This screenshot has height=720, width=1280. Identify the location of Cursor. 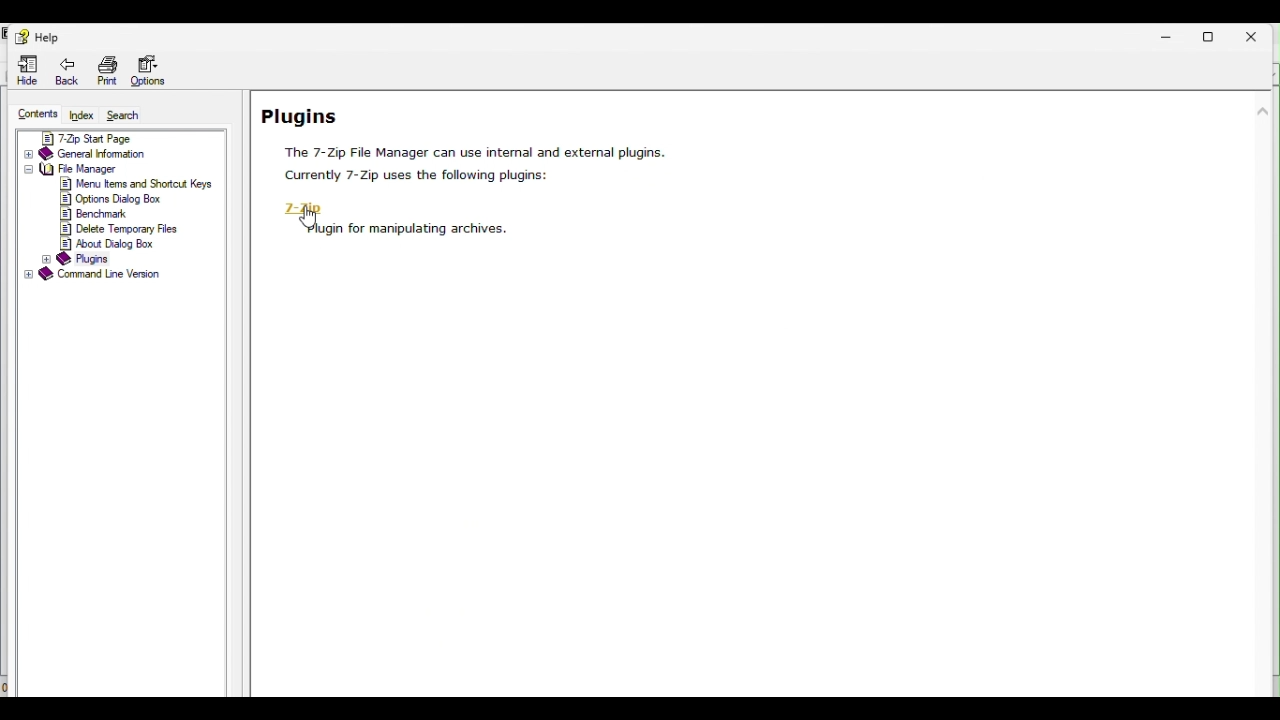
(311, 222).